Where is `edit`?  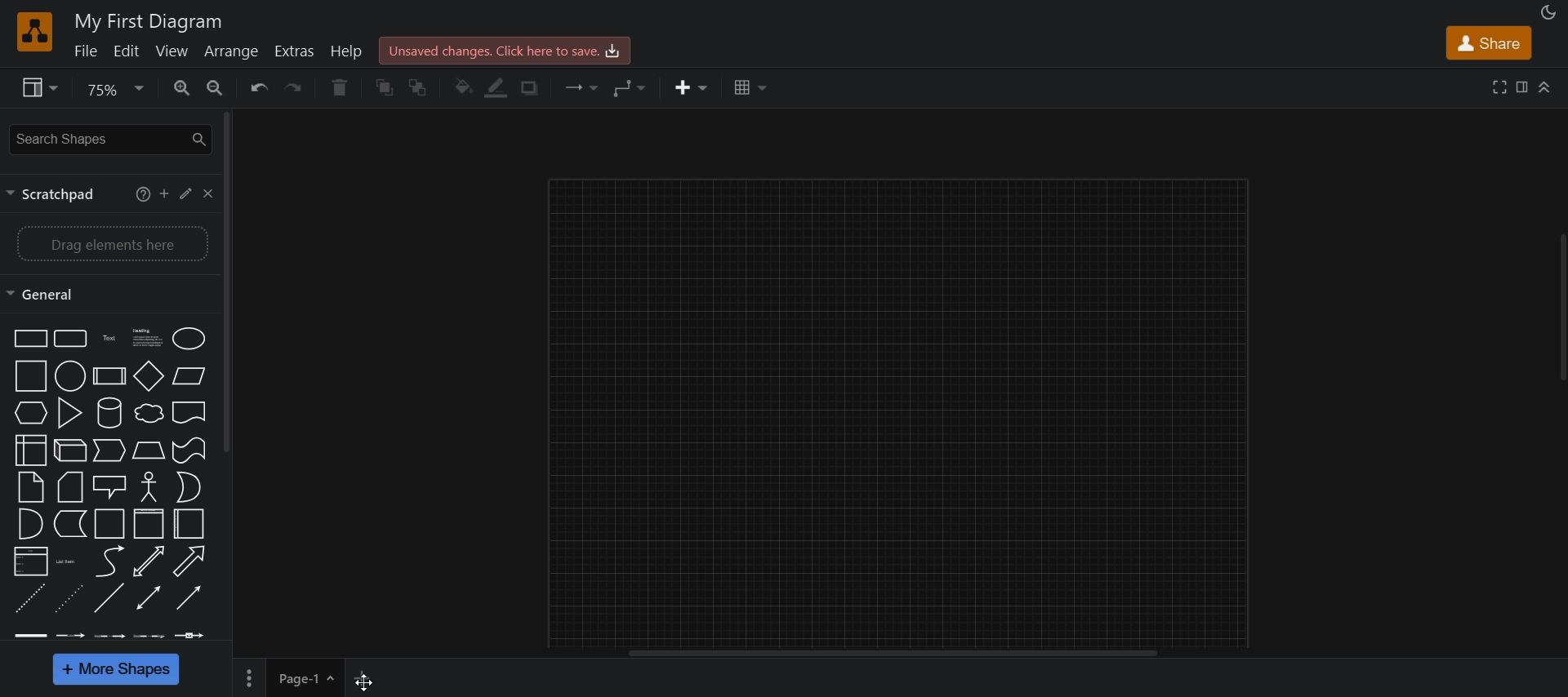
edit is located at coordinates (131, 53).